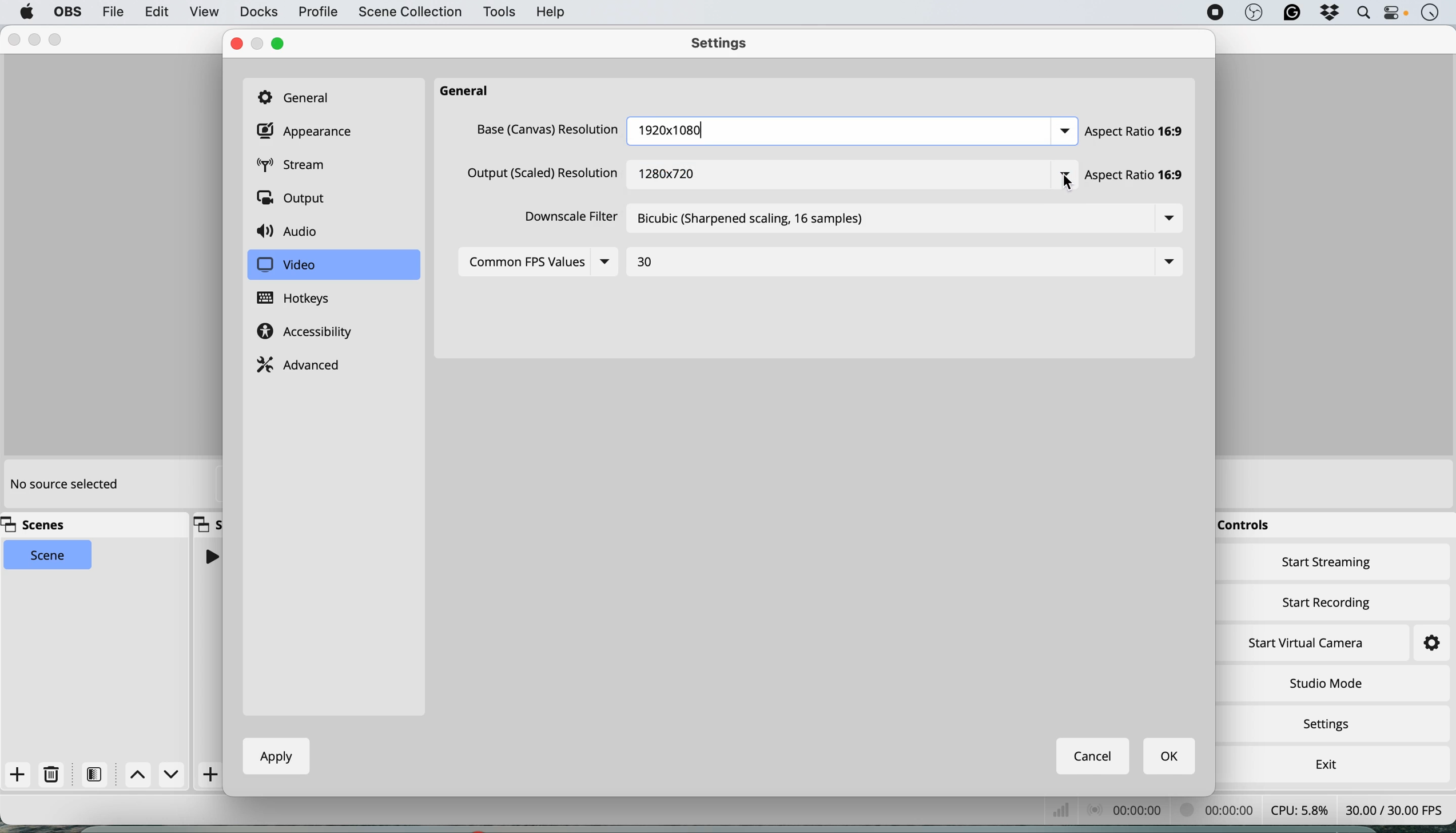 The height and width of the screenshot is (833, 1456). I want to click on help, so click(552, 11).